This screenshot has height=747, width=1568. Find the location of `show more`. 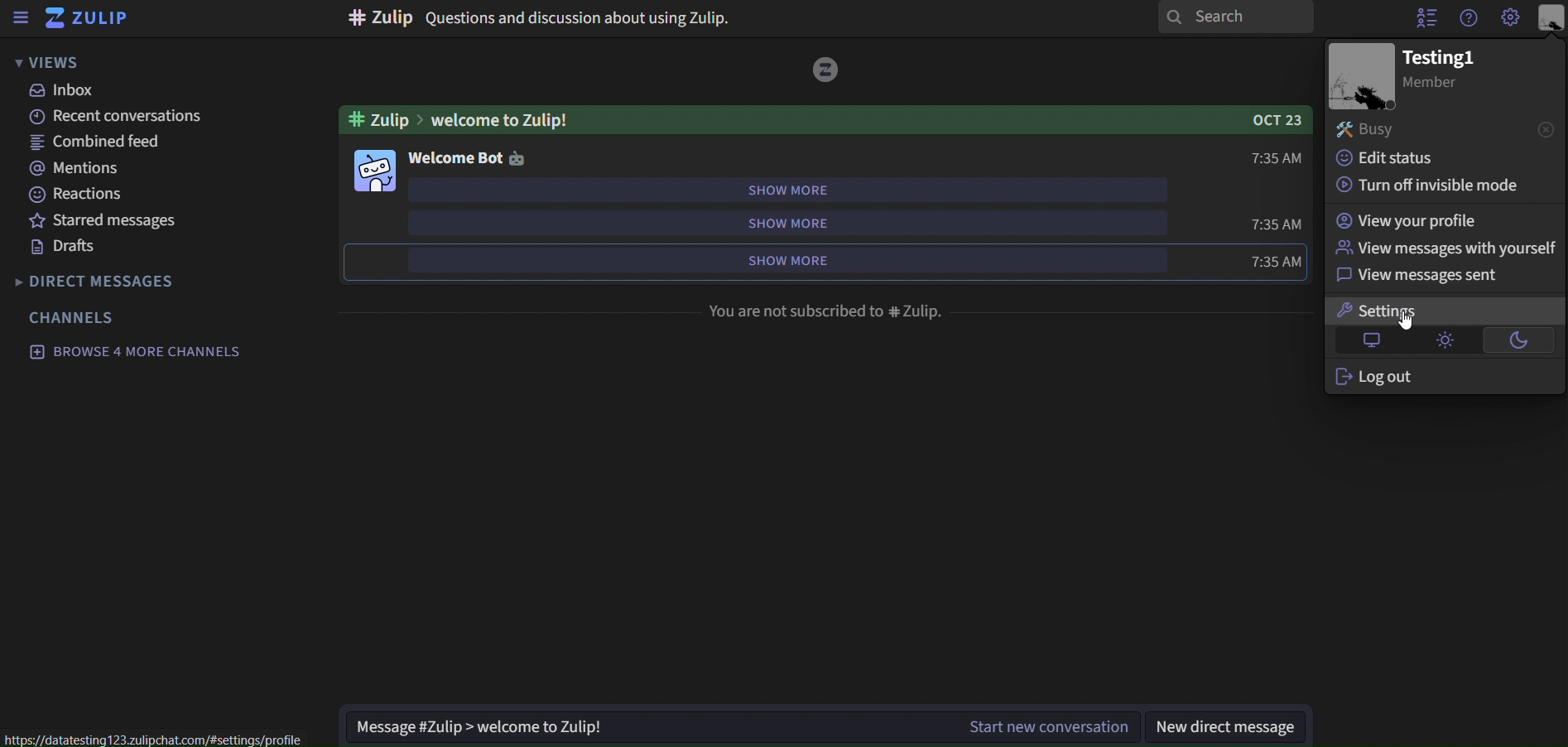

show more is located at coordinates (787, 191).